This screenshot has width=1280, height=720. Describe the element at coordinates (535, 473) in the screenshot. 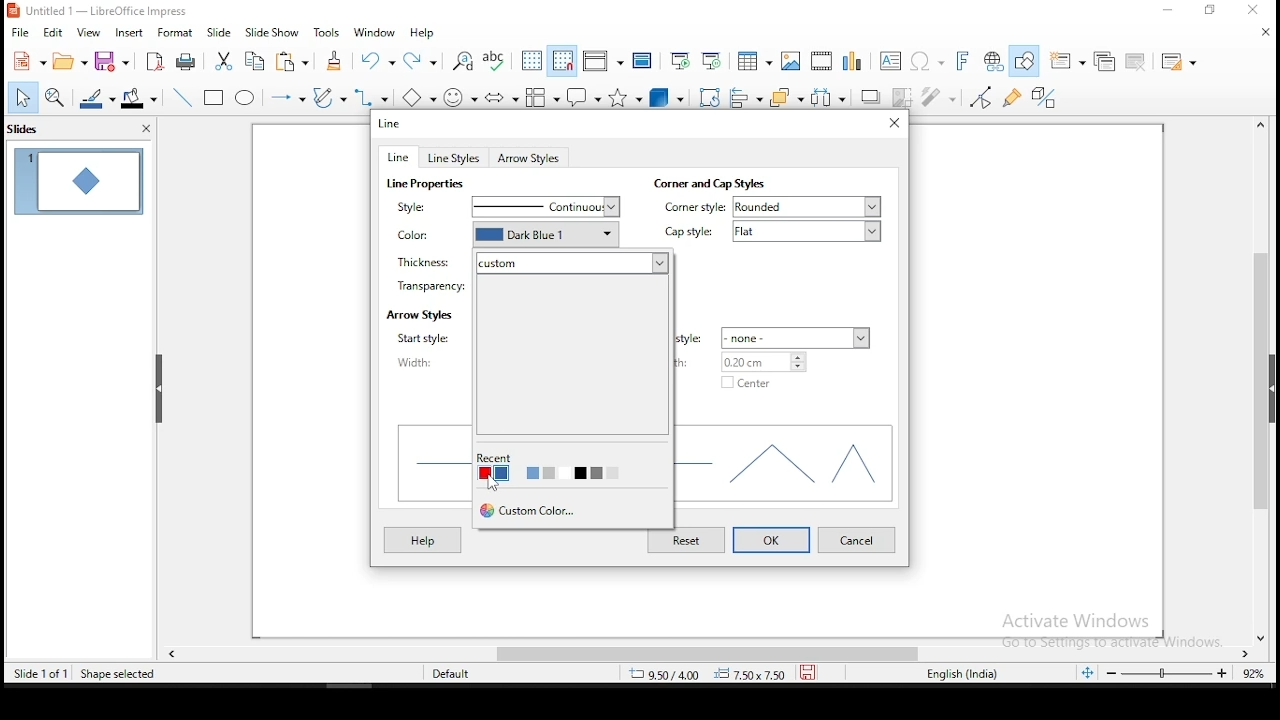

I see `color option` at that location.